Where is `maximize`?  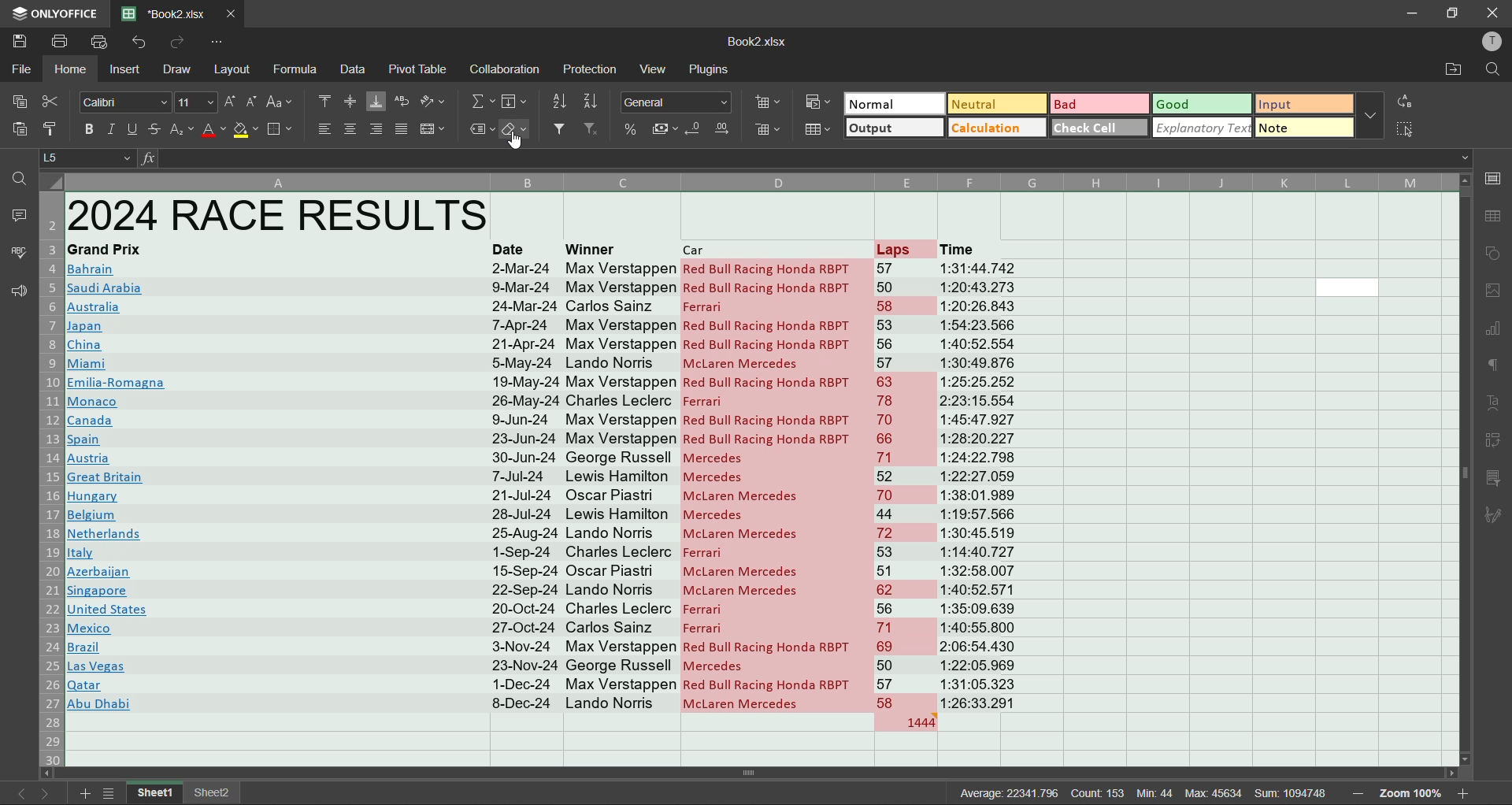
maximize is located at coordinates (1456, 13).